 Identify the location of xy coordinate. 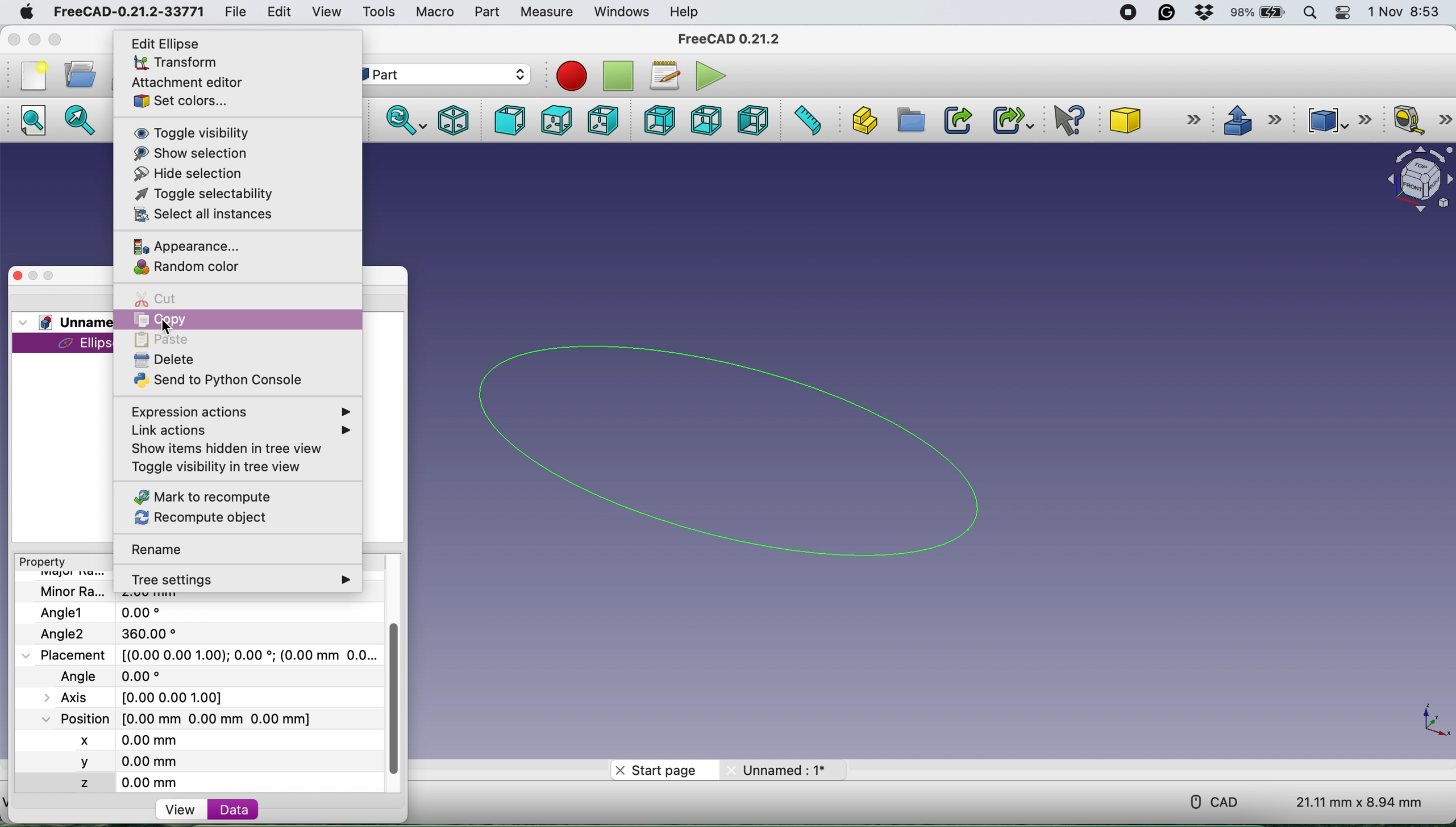
(1432, 724).